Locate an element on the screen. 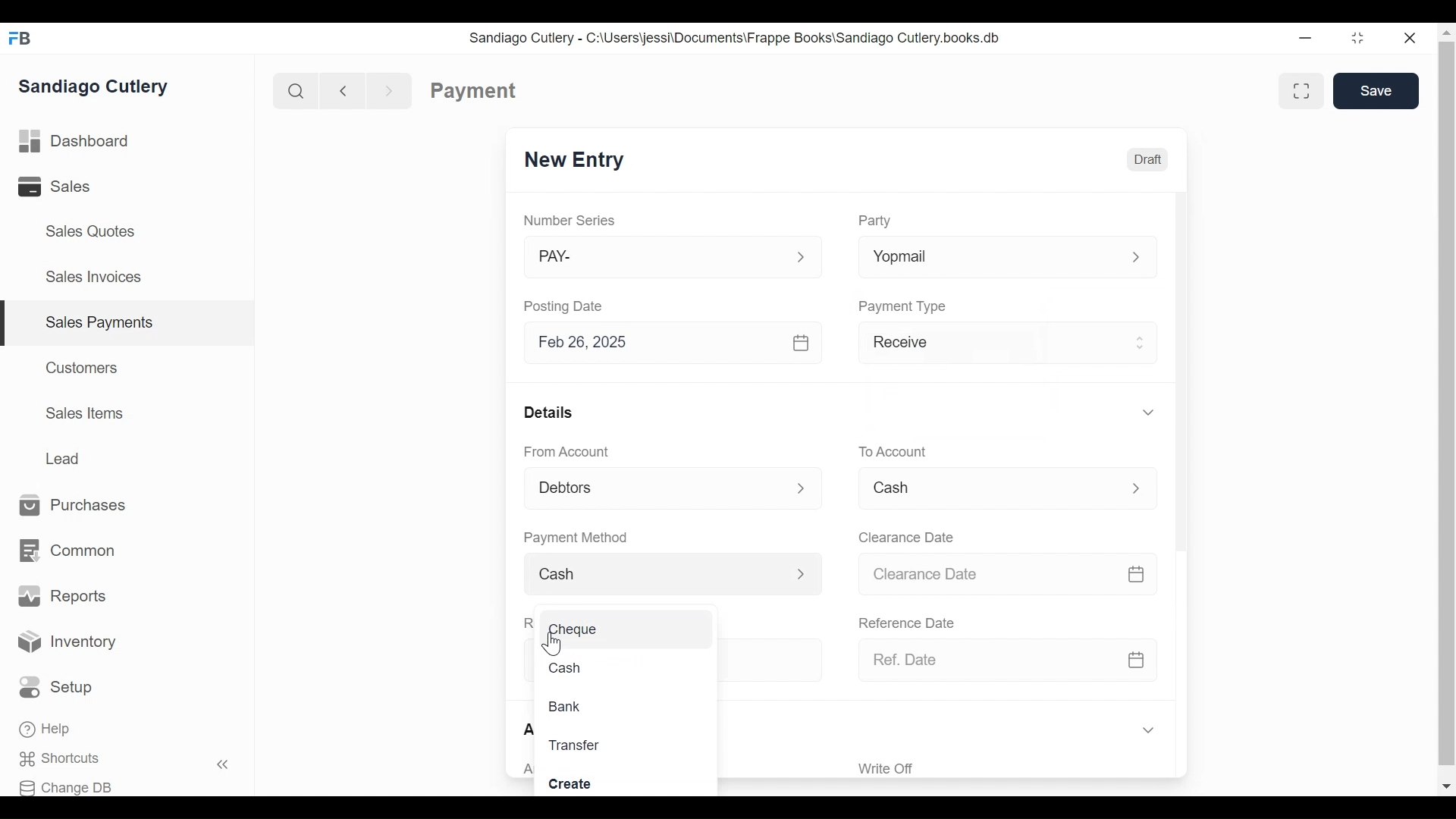  Posting Date is located at coordinates (569, 306).